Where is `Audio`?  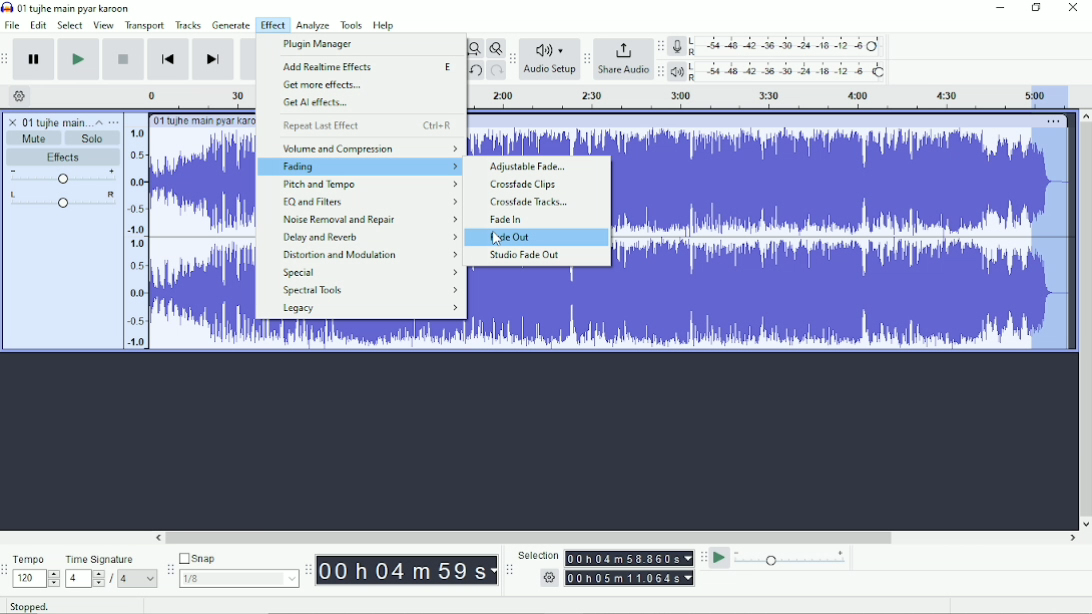
Audio is located at coordinates (841, 240).